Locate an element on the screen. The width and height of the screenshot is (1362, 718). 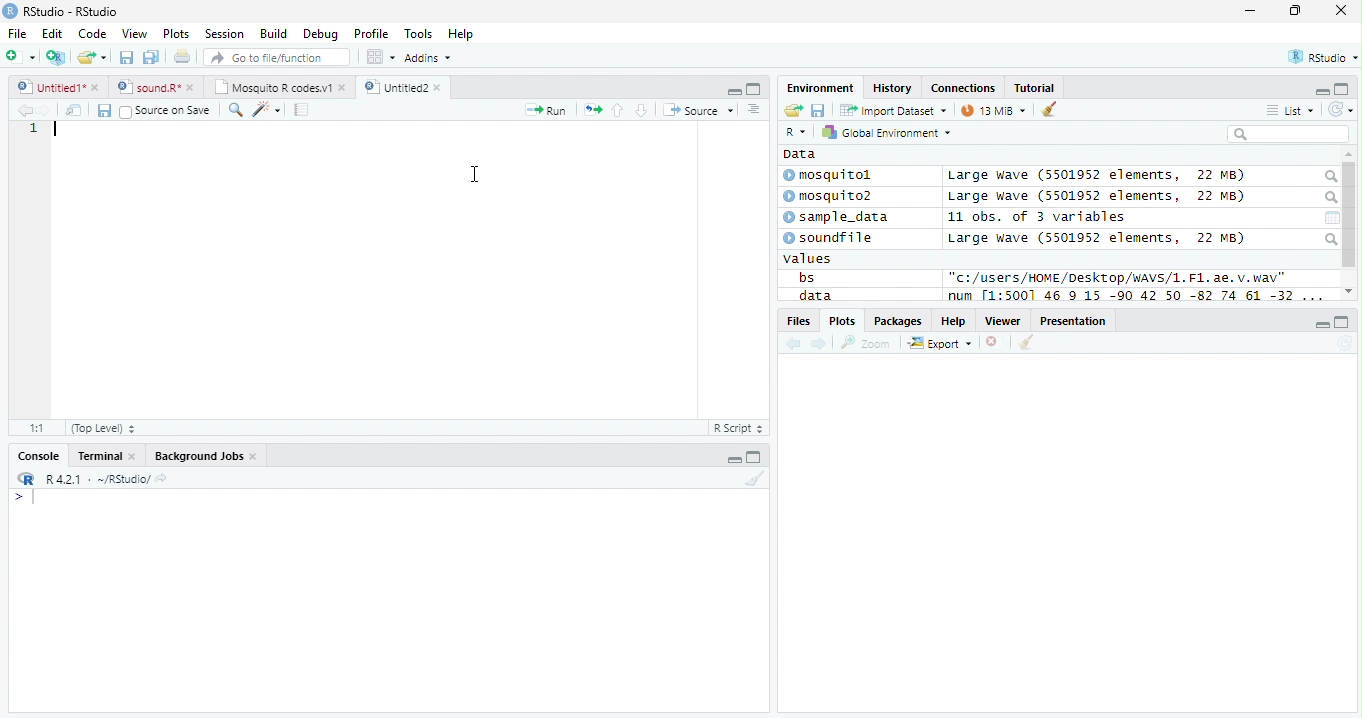
Find is located at coordinates (235, 110).